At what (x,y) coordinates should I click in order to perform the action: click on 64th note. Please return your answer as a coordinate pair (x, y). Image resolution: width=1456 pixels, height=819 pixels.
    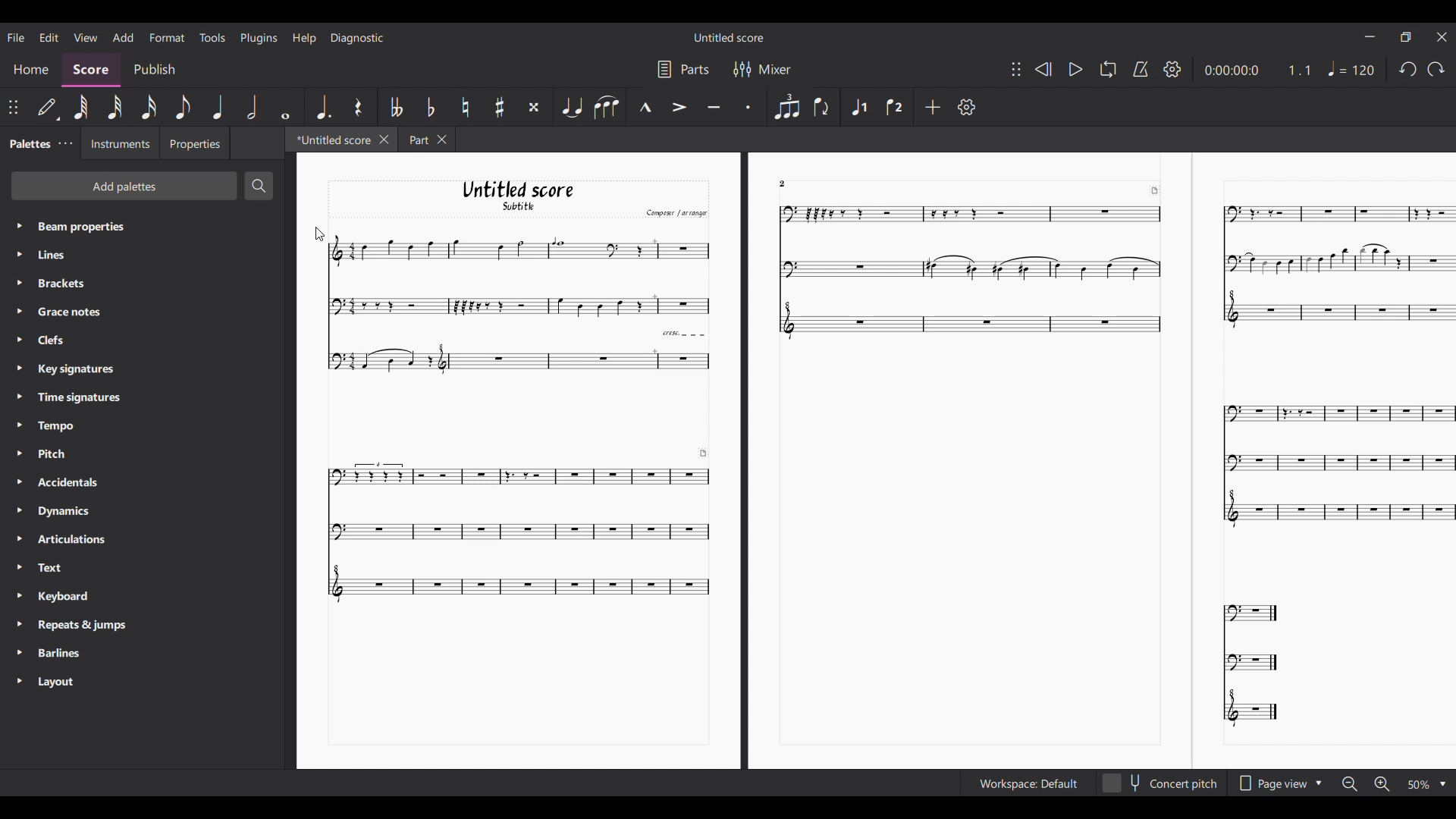
    Looking at the image, I should click on (83, 108).